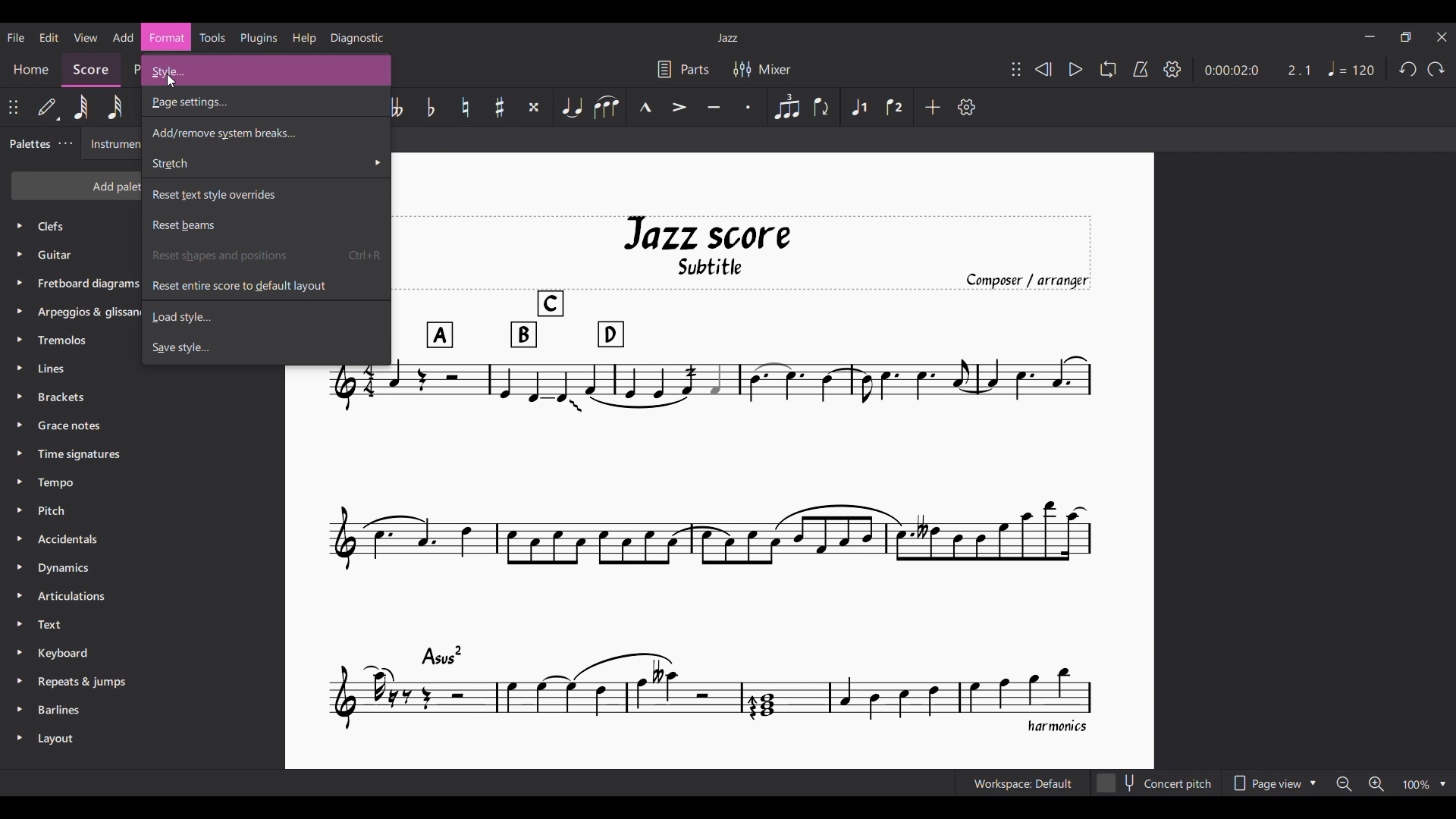 This screenshot has width=1456, height=819. I want to click on File menu, so click(15, 37).